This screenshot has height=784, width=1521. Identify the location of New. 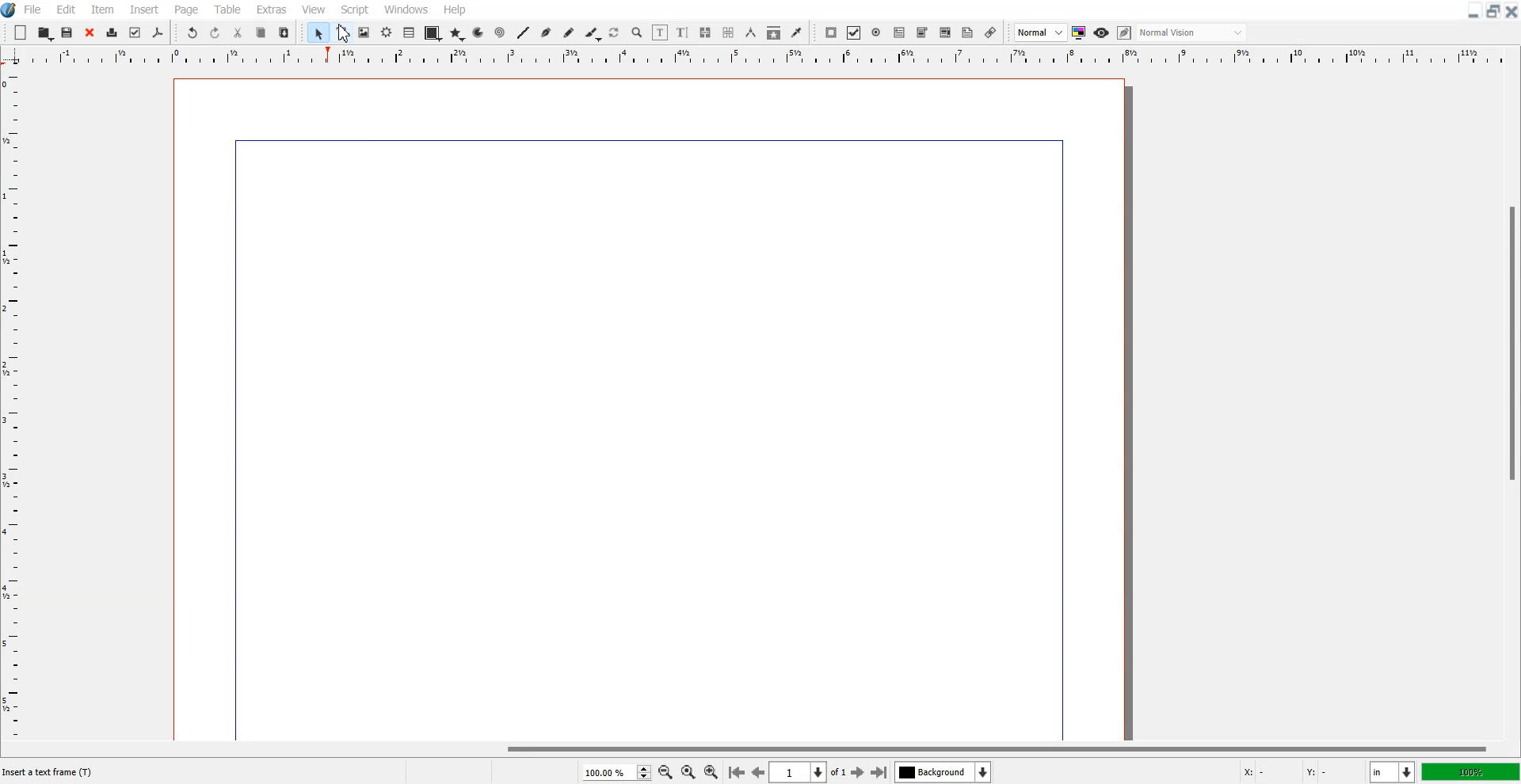
(21, 32).